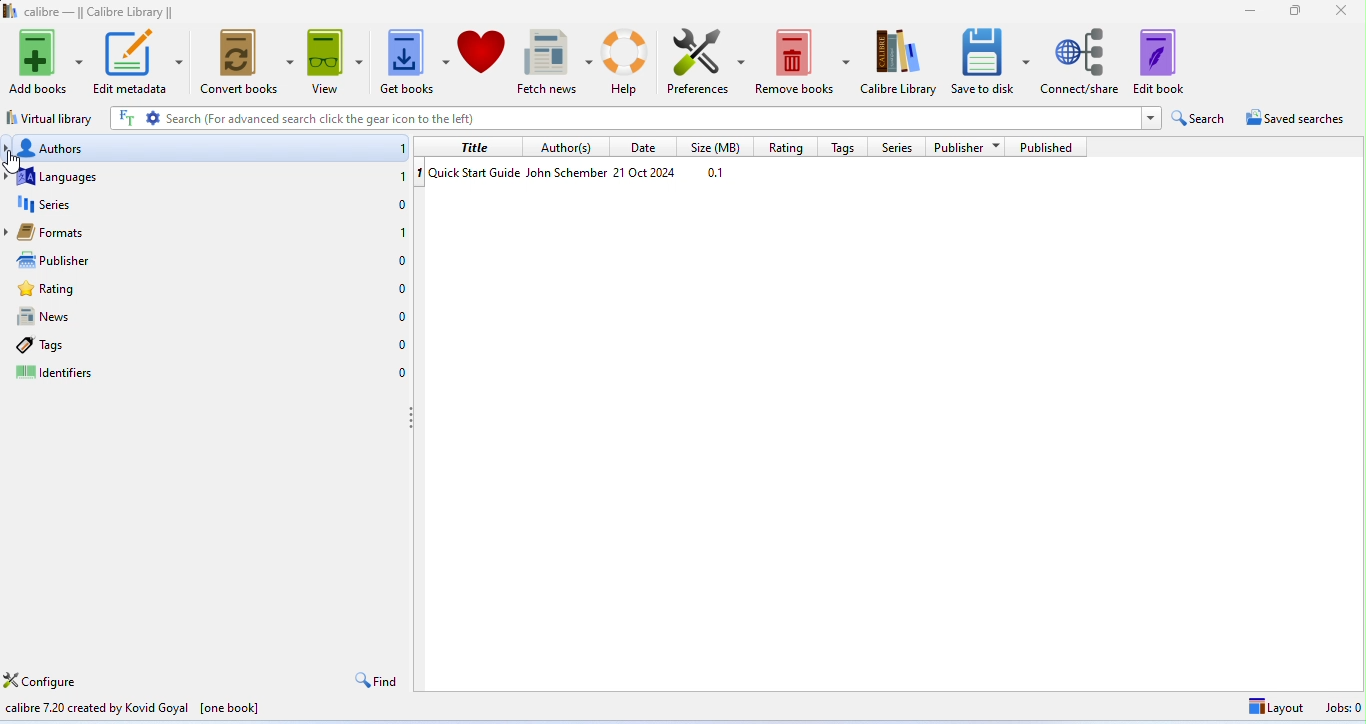 The image size is (1366, 724). Describe the element at coordinates (849, 149) in the screenshot. I see `tags` at that location.